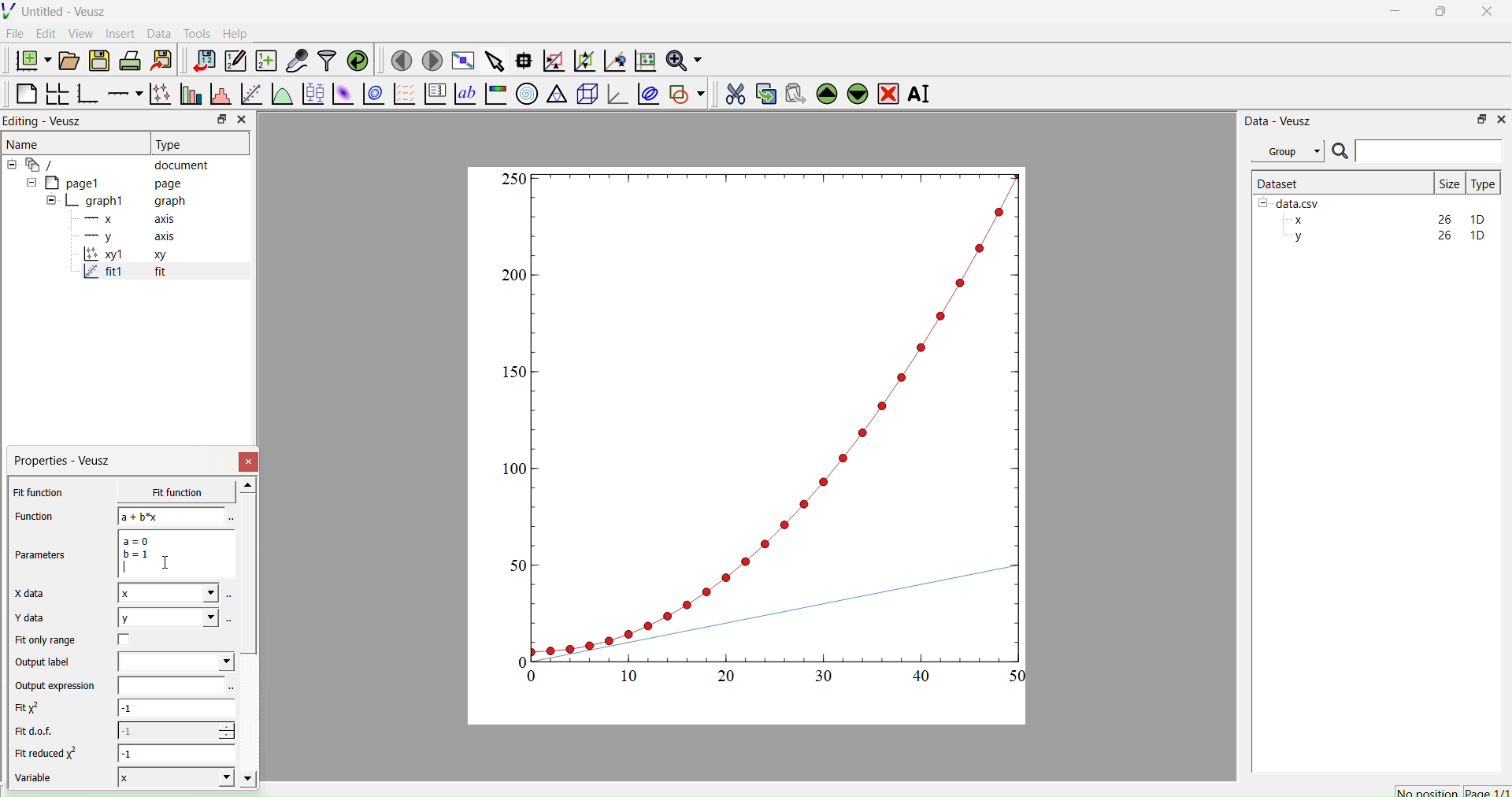  What do you see at coordinates (250, 462) in the screenshot?
I see `Close` at bounding box center [250, 462].